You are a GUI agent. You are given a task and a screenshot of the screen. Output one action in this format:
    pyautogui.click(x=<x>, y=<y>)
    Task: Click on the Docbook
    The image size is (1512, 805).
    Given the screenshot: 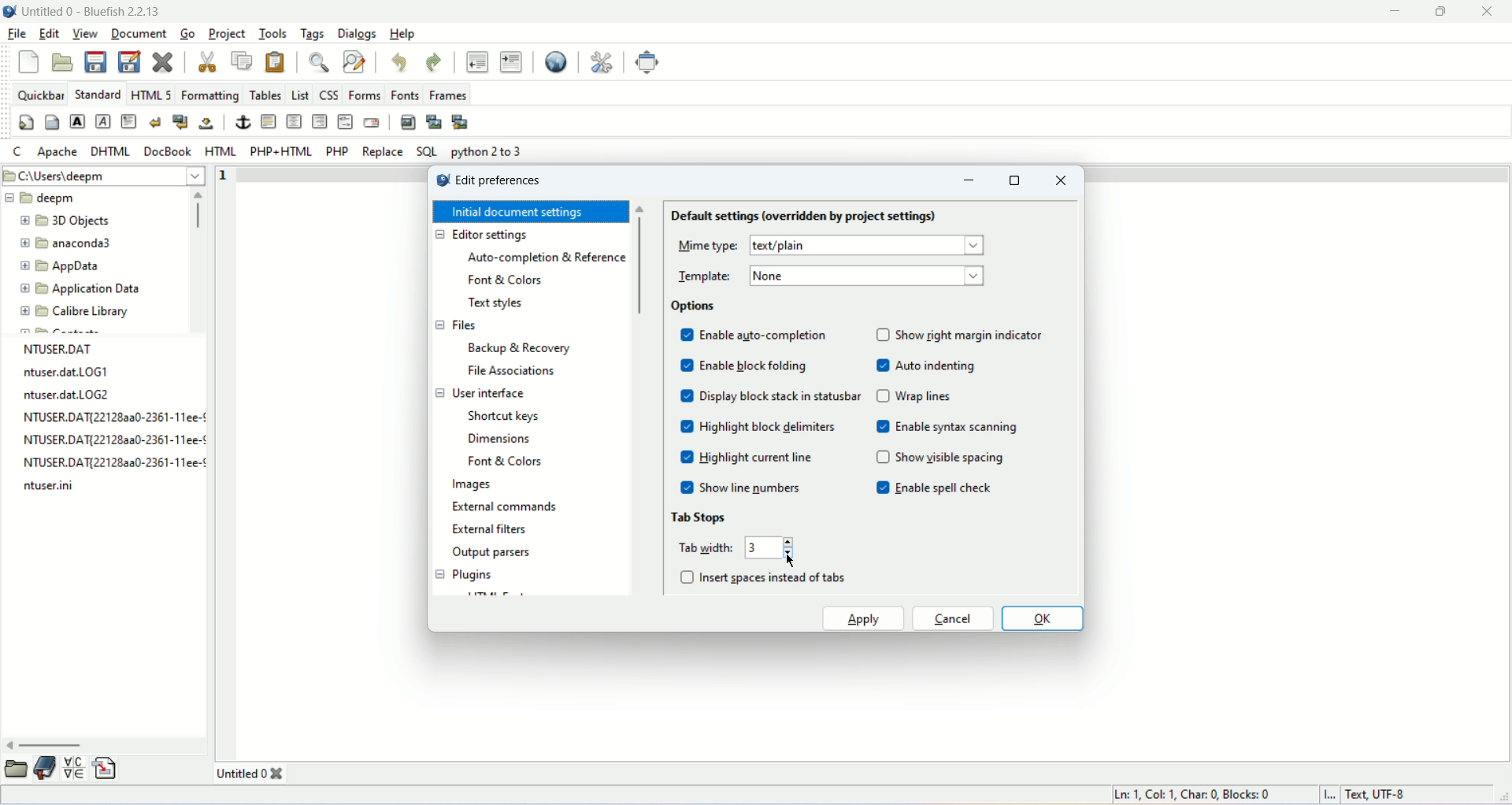 What is the action you would take?
    pyautogui.click(x=167, y=151)
    